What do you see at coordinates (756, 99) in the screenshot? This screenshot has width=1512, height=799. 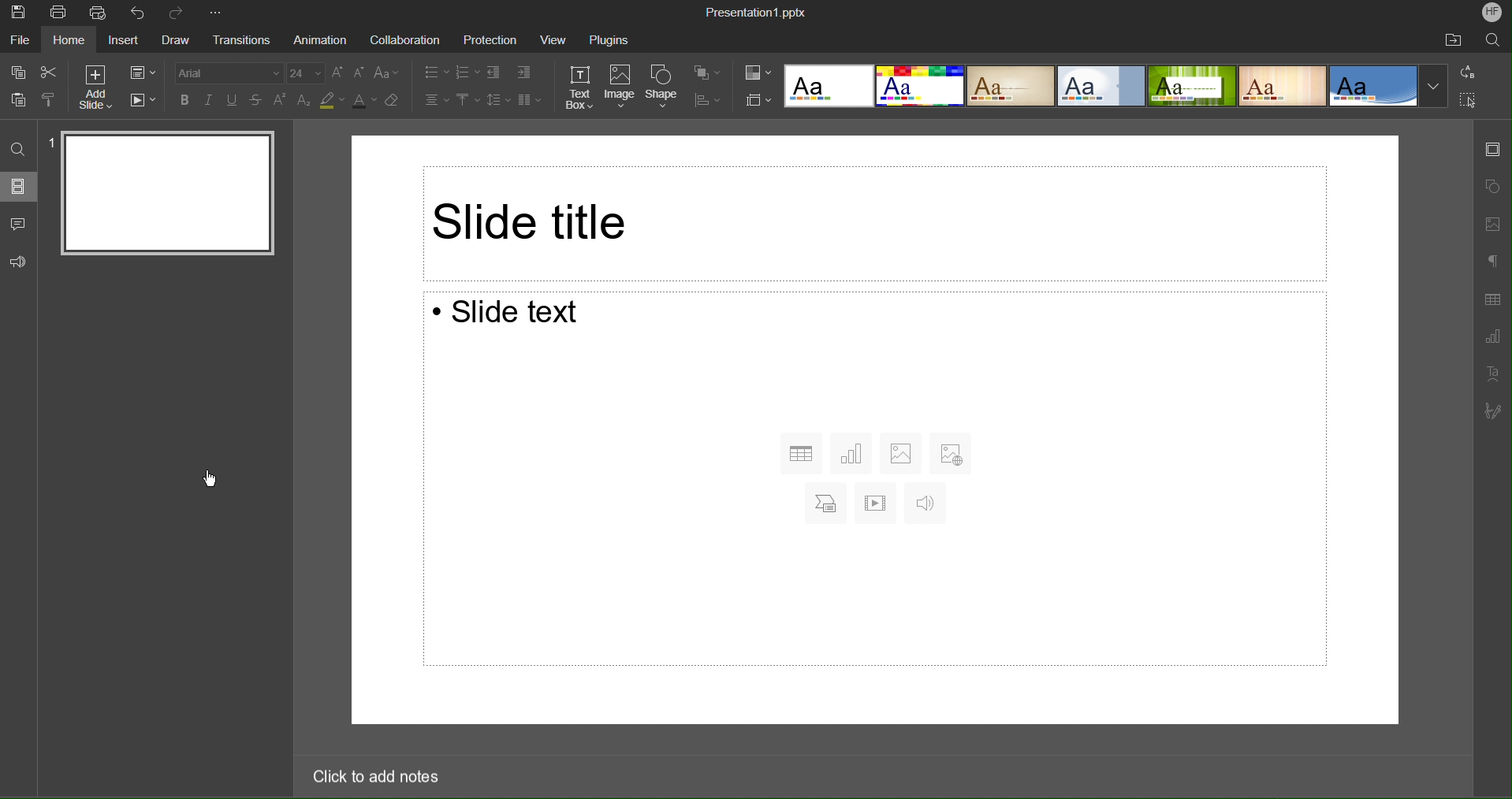 I see `Slide Settings` at bounding box center [756, 99].